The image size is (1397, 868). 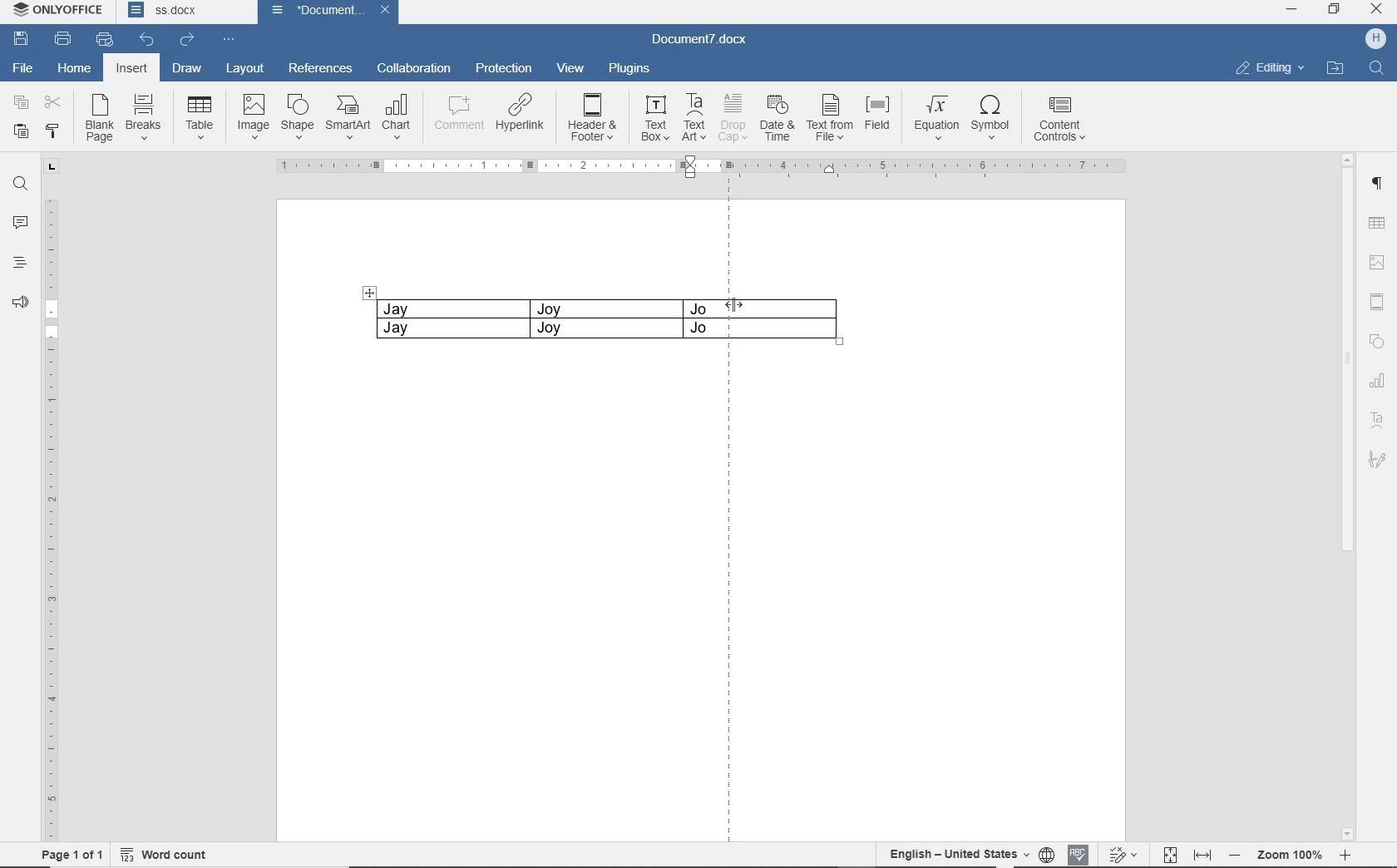 I want to click on SHAPE, so click(x=1377, y=341).